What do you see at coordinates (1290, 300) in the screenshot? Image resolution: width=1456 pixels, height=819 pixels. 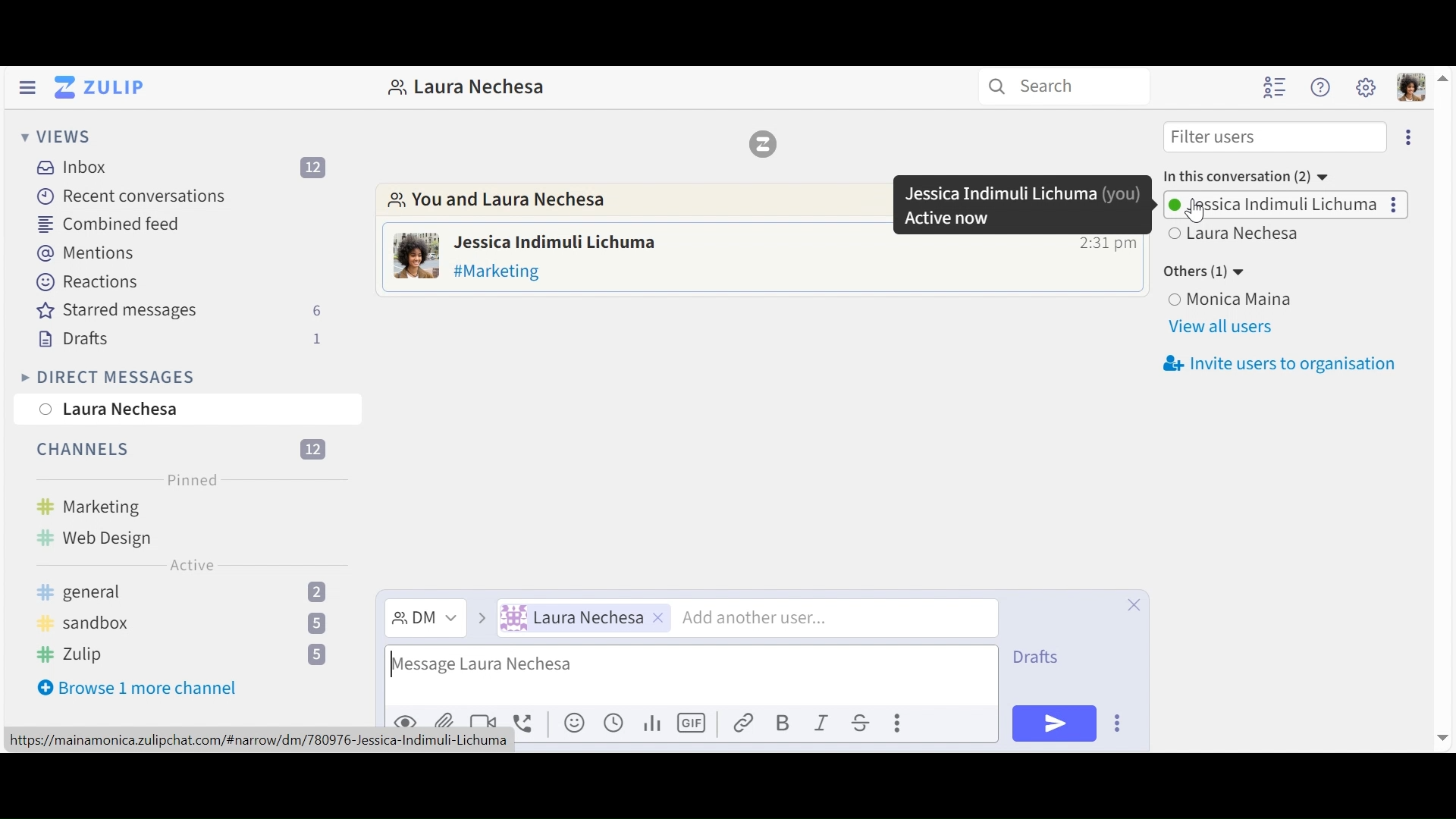 I see `User` at bounding box center [1290, 300].